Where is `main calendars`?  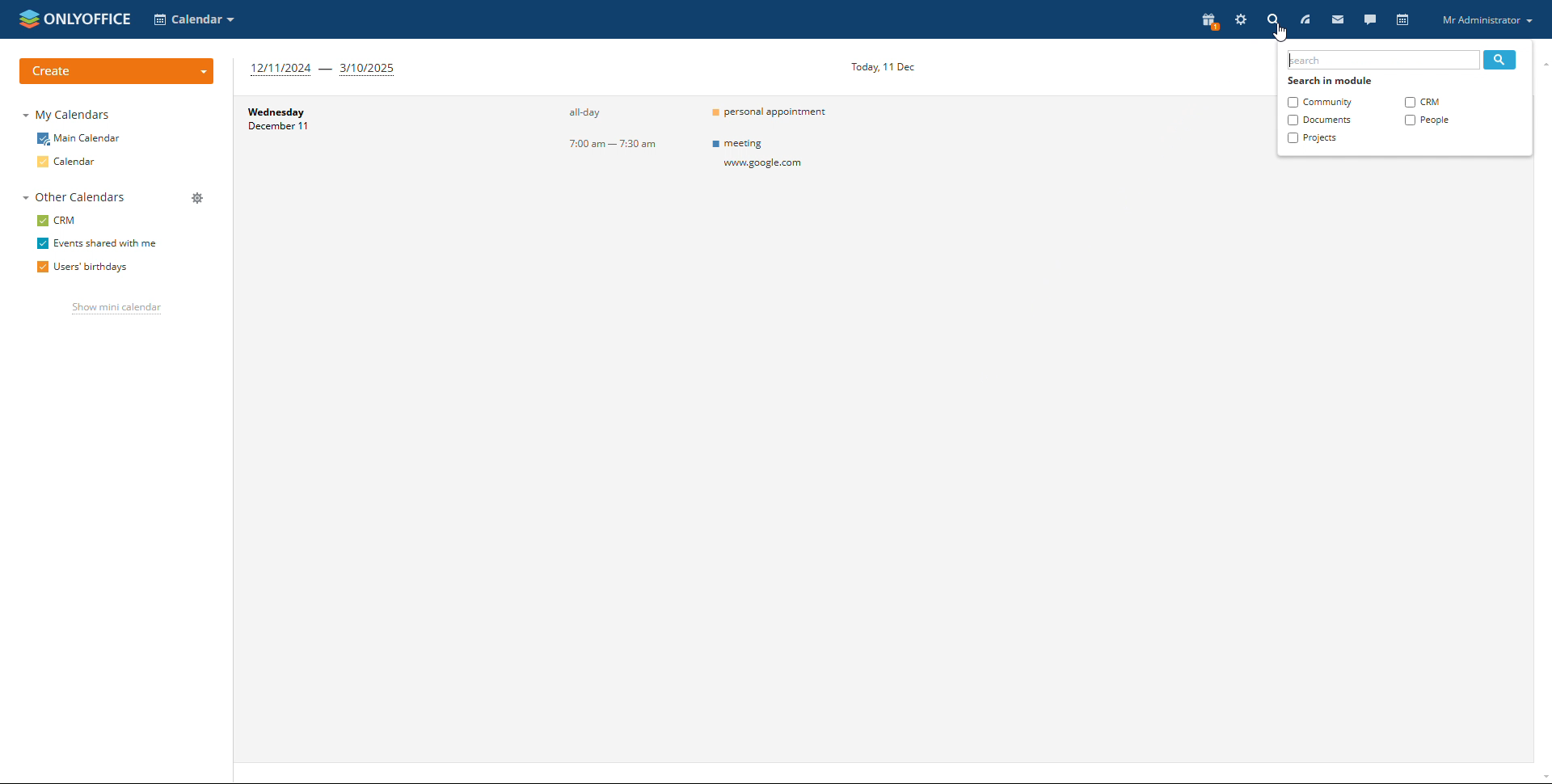 main calendars is located at coordinates (80, 139).